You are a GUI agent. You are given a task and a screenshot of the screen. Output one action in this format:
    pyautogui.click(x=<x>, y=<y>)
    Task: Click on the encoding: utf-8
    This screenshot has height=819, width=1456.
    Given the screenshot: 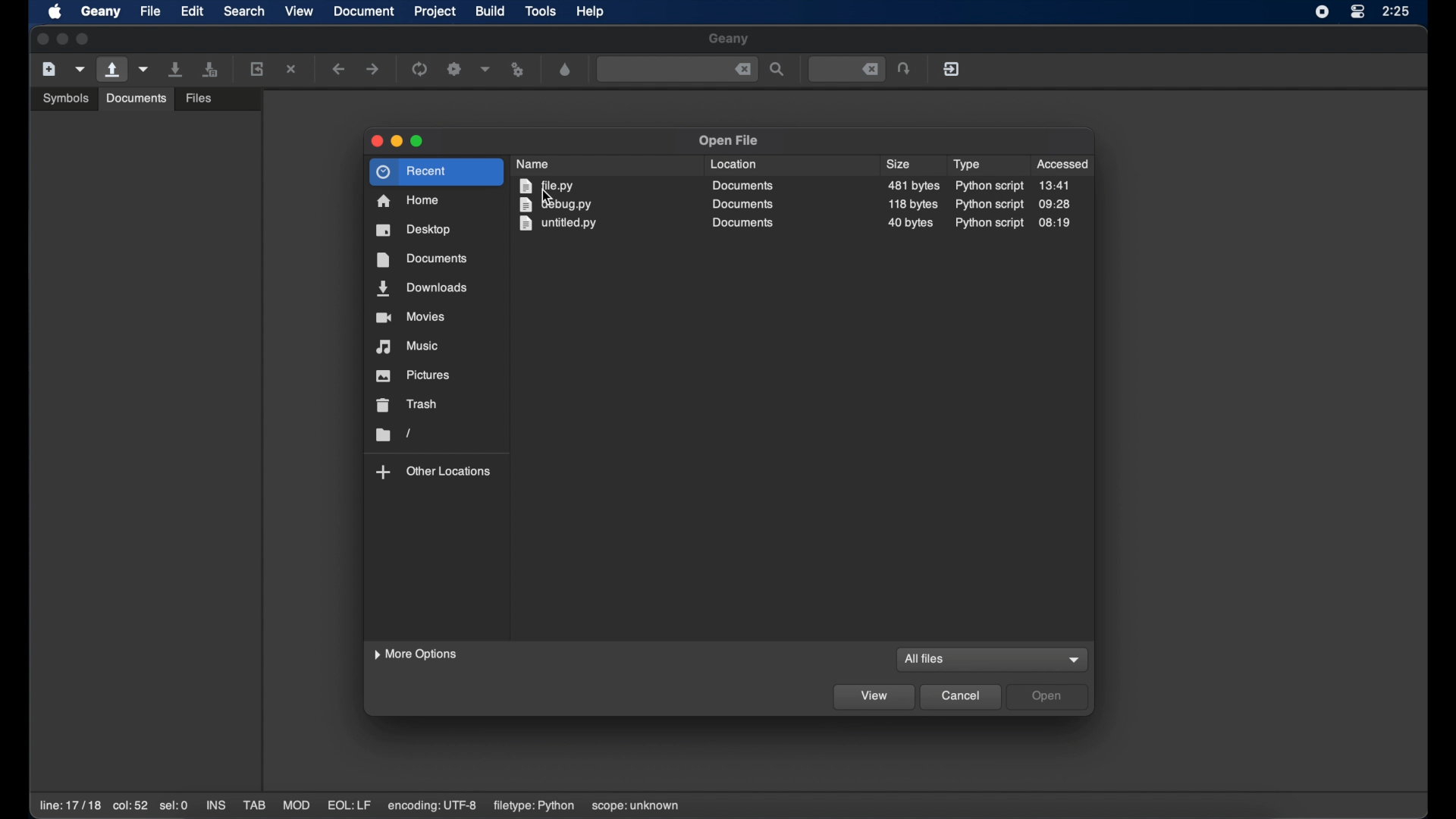 What is the action you would take?
    pyautogui.click(x=433, y=805)
    